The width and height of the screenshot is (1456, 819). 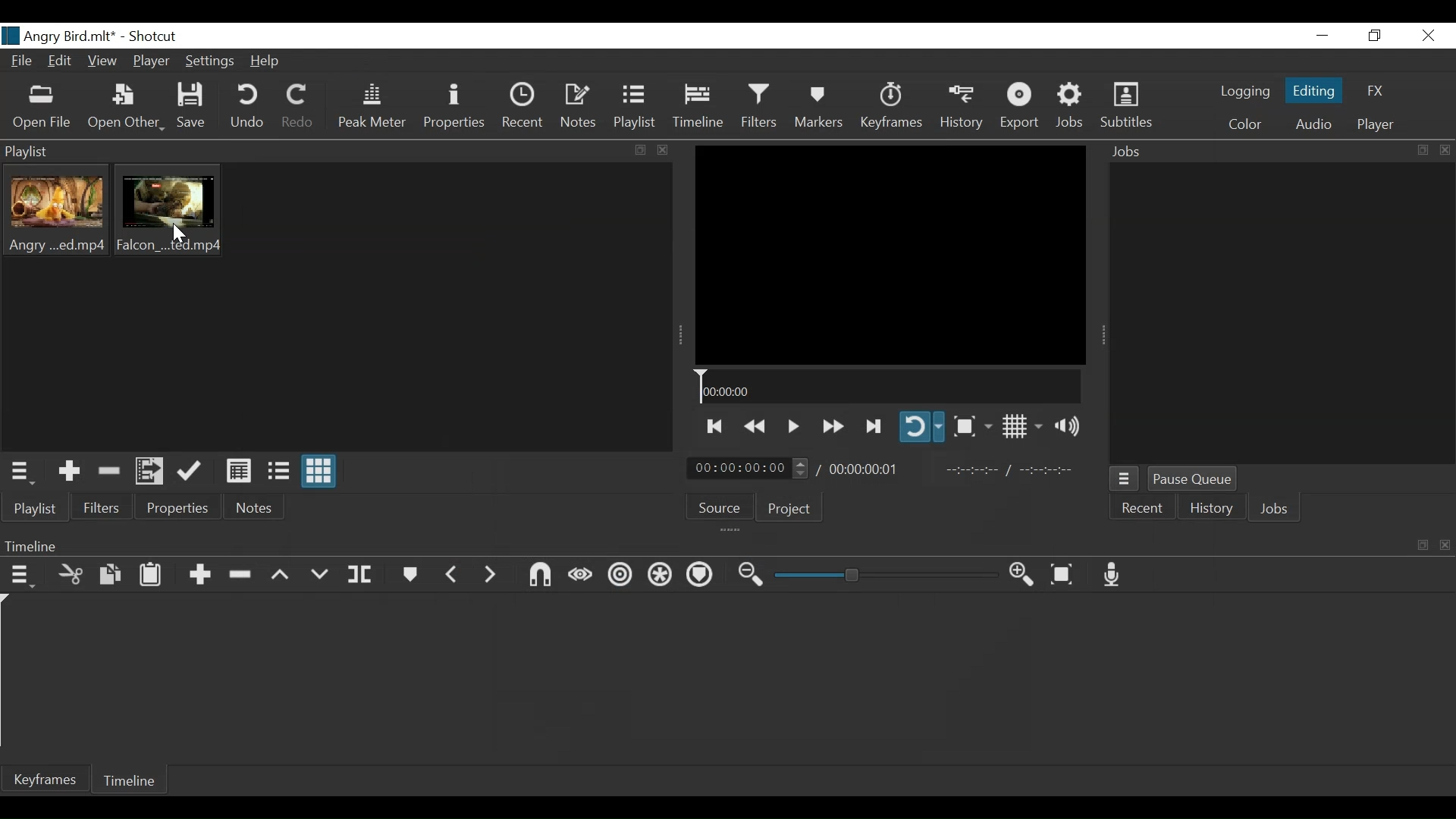 I want to click on Notes, so click(x=256, y=507).